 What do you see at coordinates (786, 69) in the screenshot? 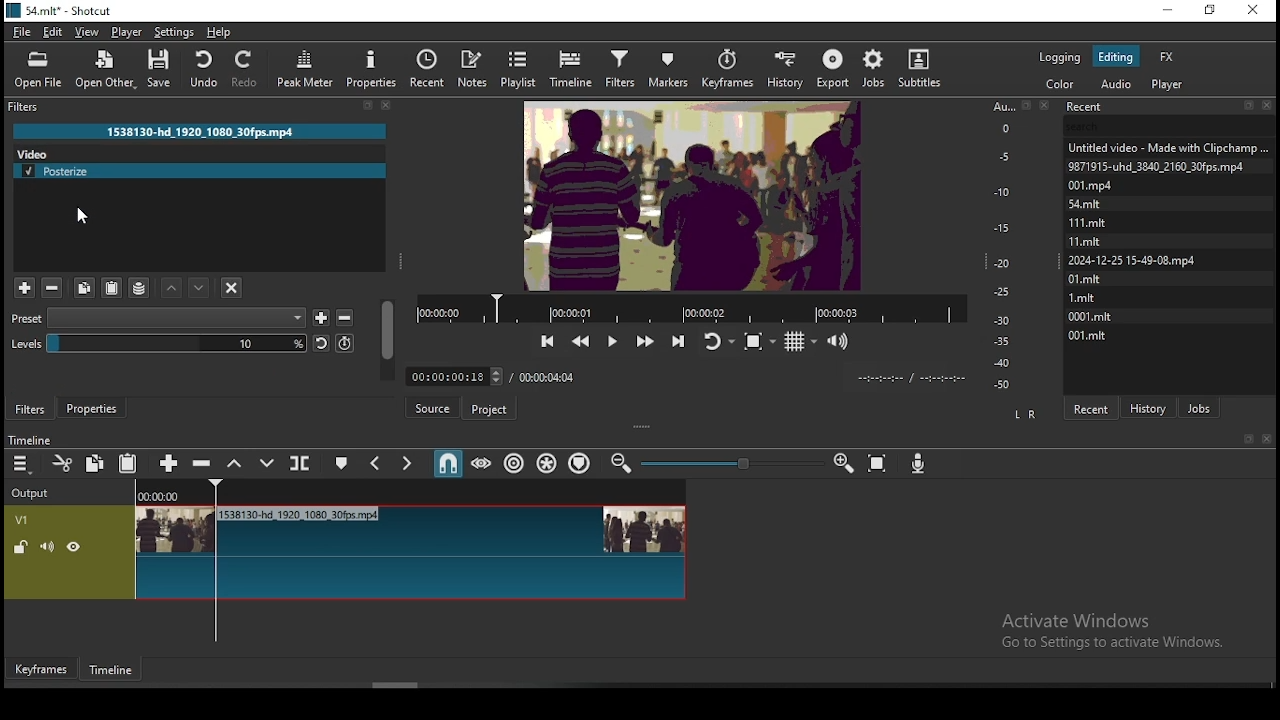
I see `history` at bounding box center [786, 69].